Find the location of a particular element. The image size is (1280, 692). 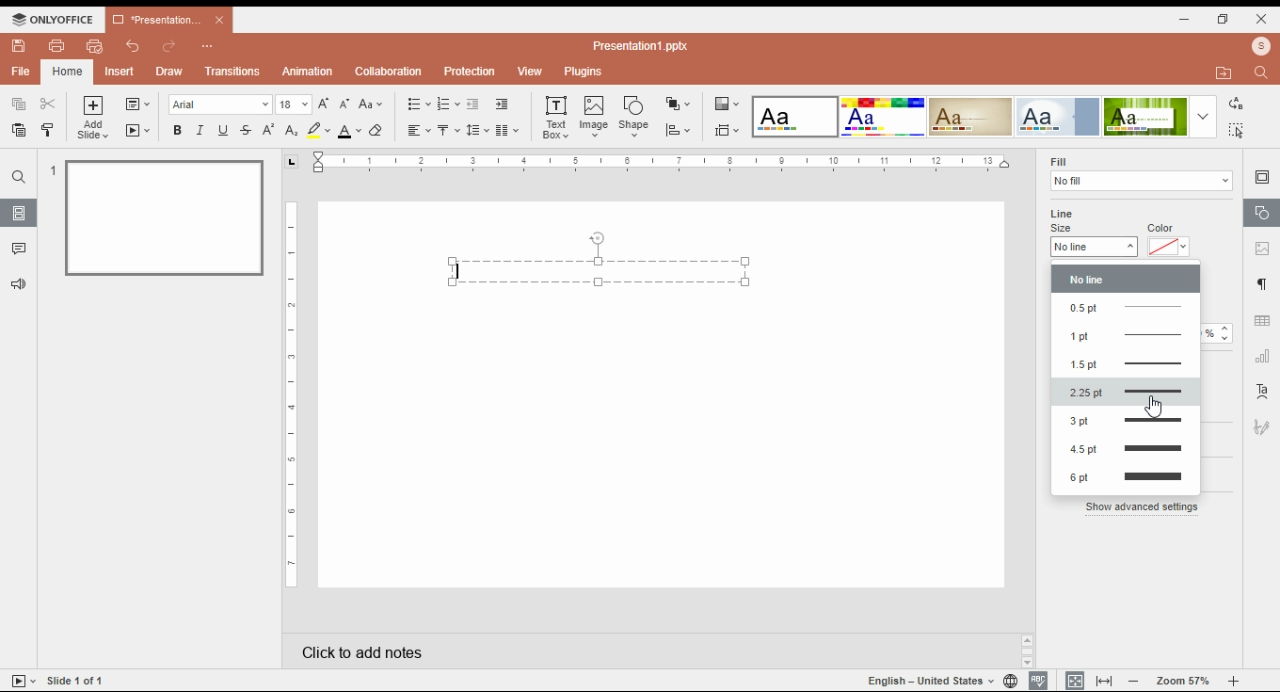

text box is located at coordinates (602, 259).